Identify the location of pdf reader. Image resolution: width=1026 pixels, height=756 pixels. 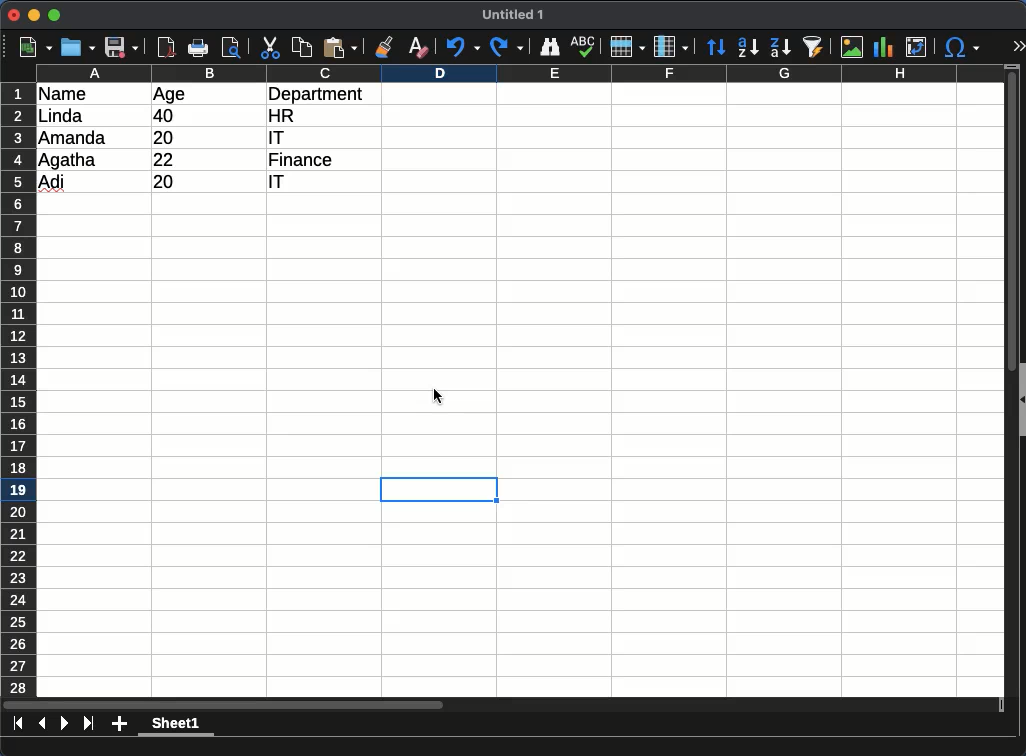
(166, 49).